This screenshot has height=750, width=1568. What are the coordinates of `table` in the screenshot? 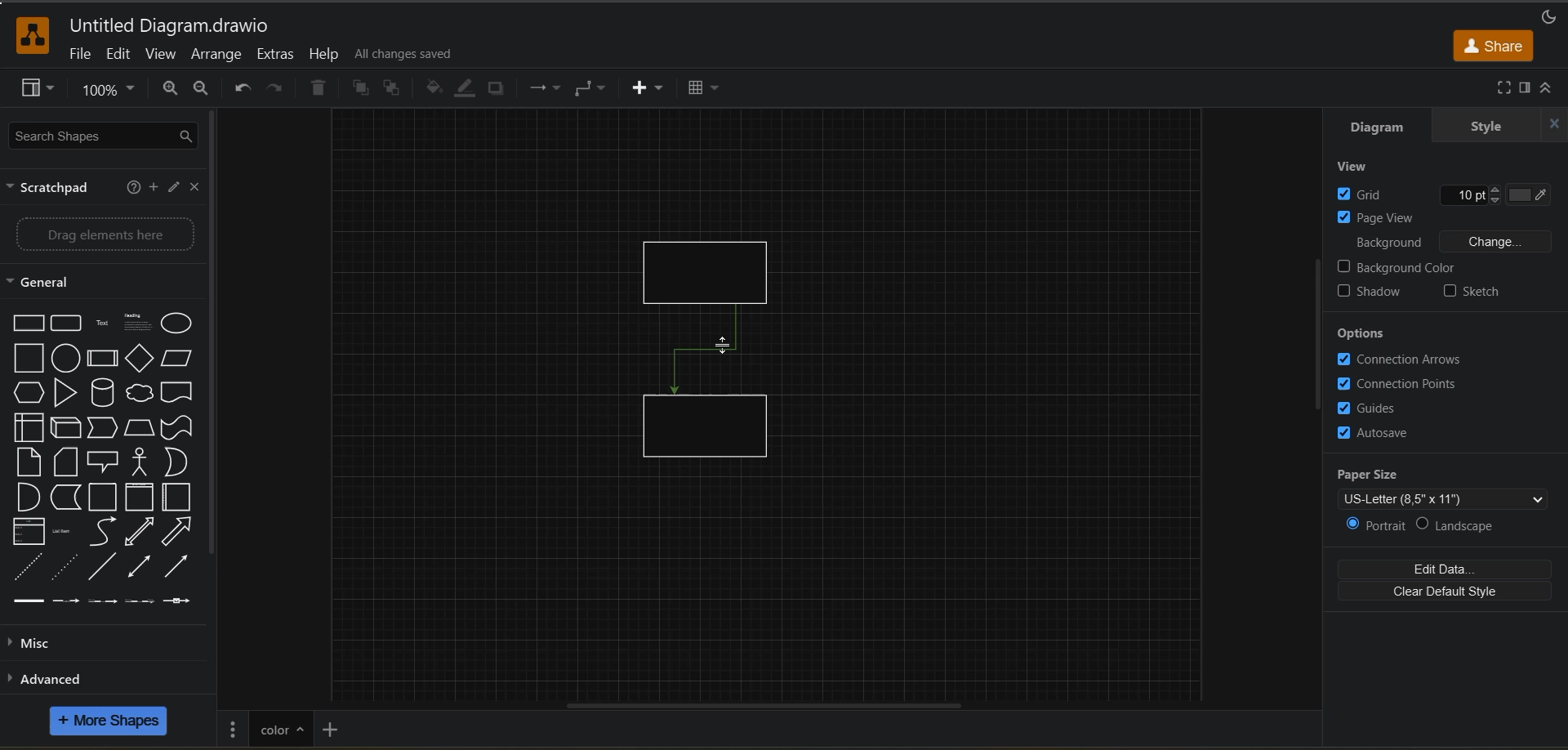 It's located at (709, 90).